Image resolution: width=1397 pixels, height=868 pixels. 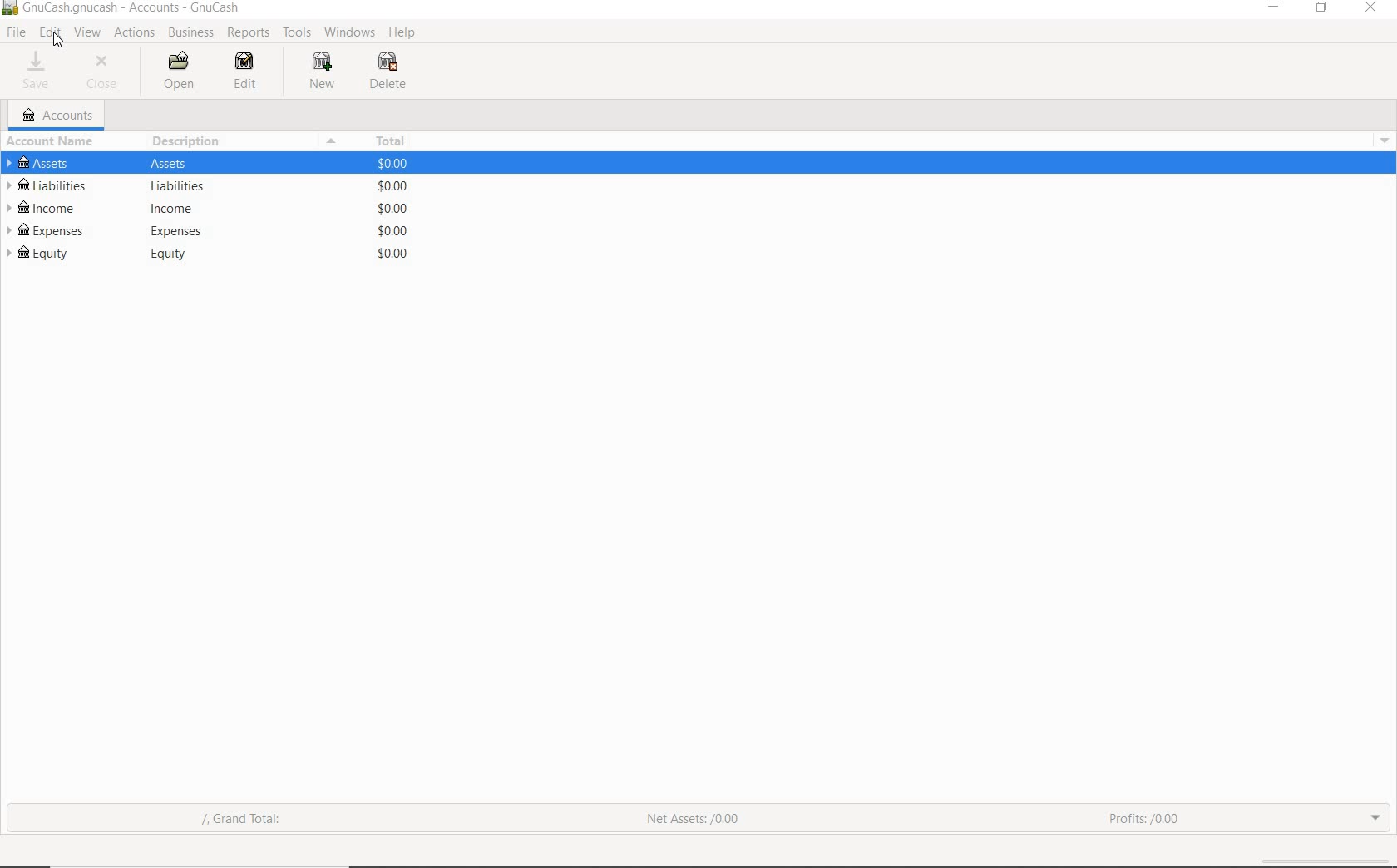 I want to click on system name, so click(x=11, y=9).